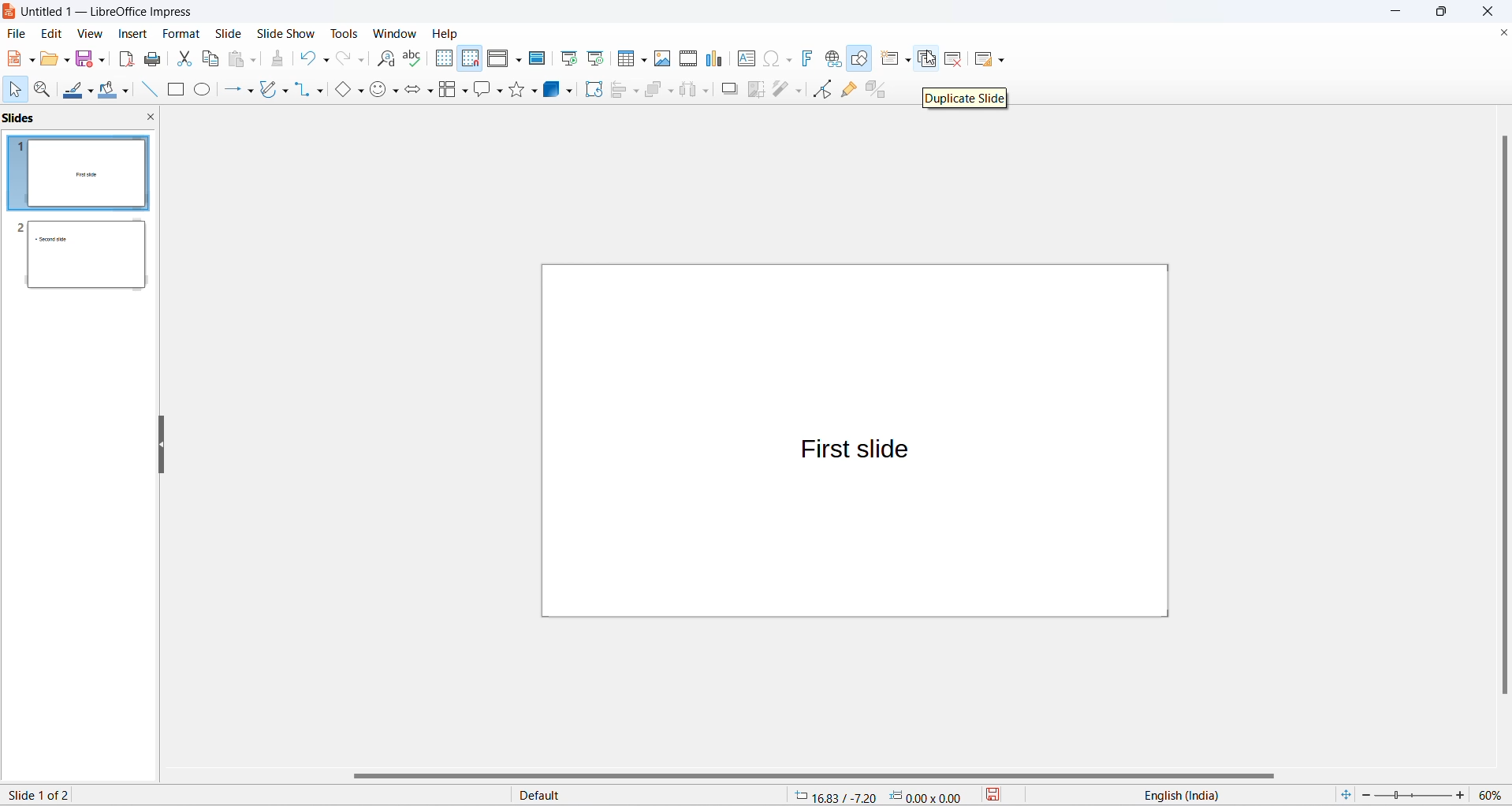 This screenshot has height=806, width=1512. What do you see at coordinates (1397, 12) in the screenshot?
I see `minimize` at bounding box center [1397, 12].